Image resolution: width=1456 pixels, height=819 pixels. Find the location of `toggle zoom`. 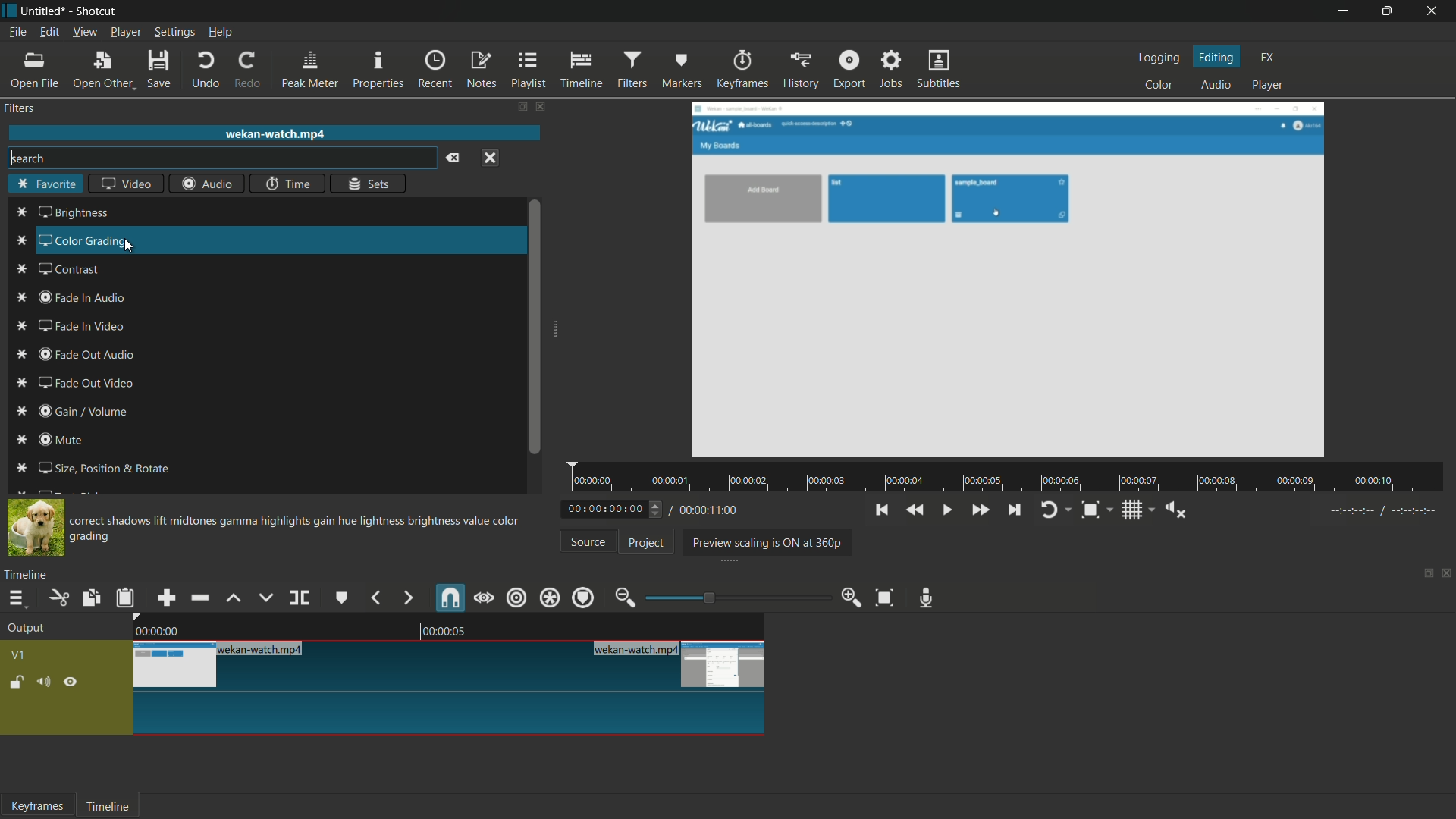

toggle zoom is located at coordinates (1095, 510).